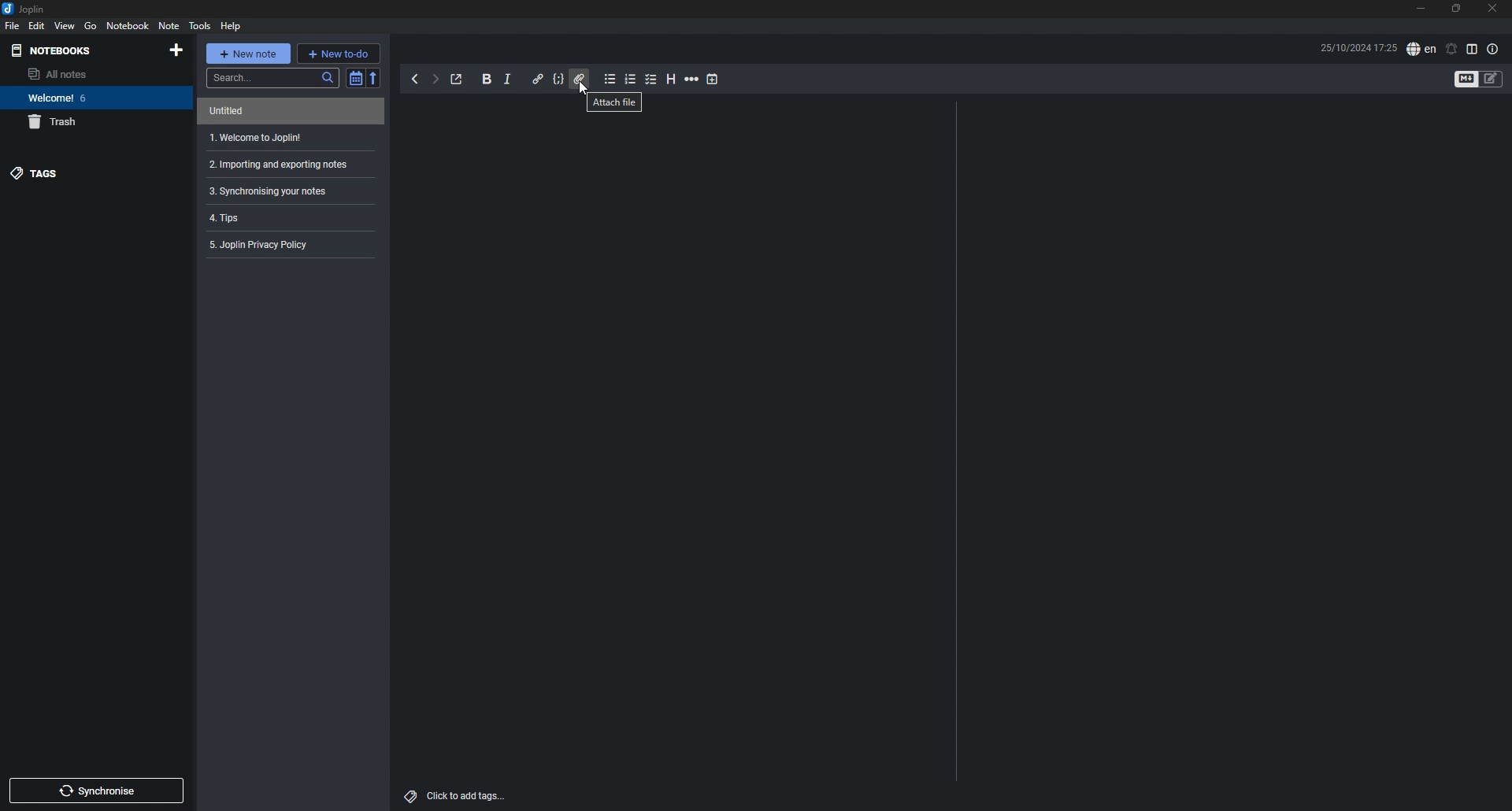  I want to click on 1.Welcome to Joplin, so click(287, 138).